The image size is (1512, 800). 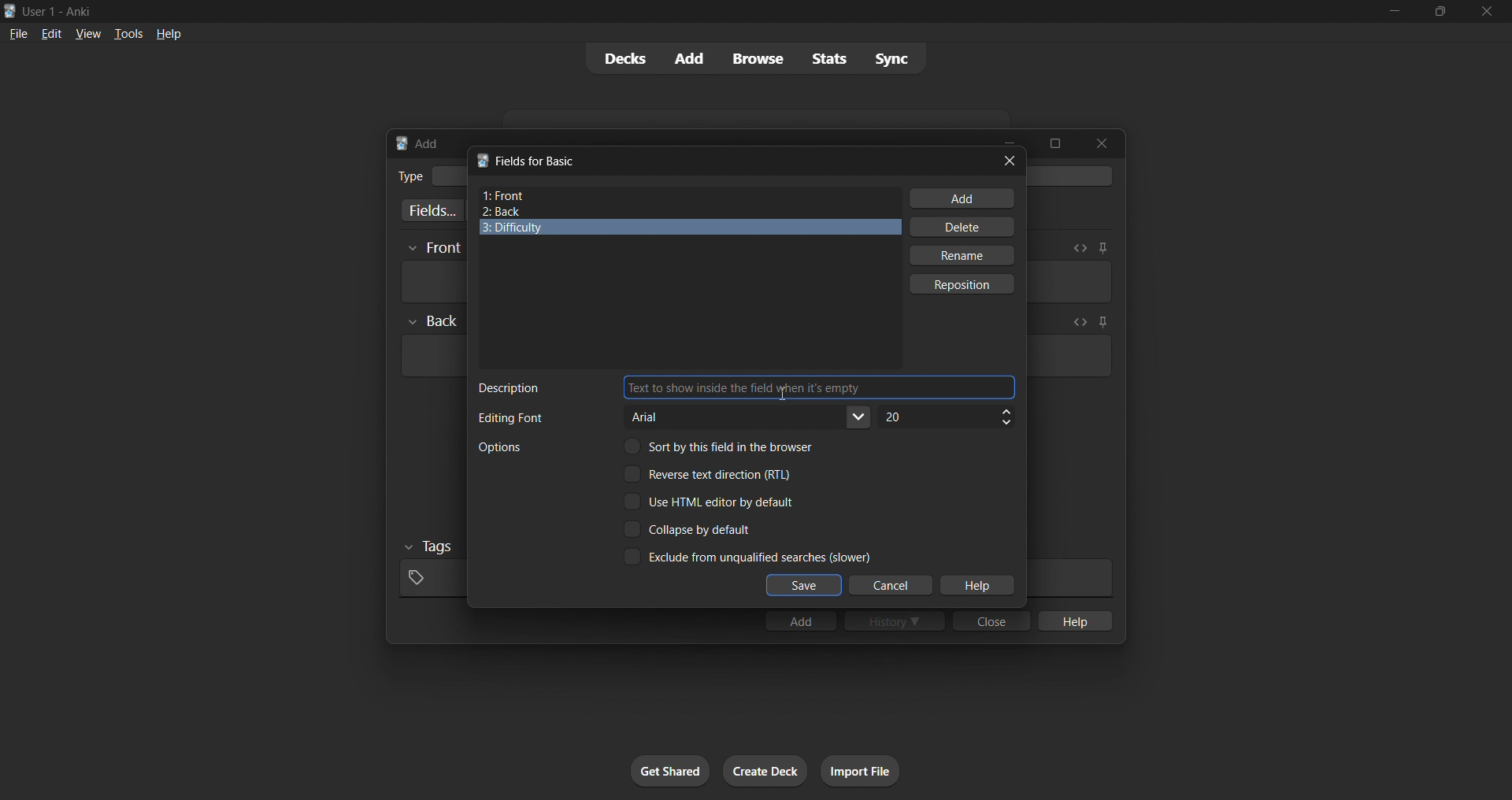 What do you see at coordinates (991, 620) in the screenshot?
I see `close` at bounding box center [991, 620].